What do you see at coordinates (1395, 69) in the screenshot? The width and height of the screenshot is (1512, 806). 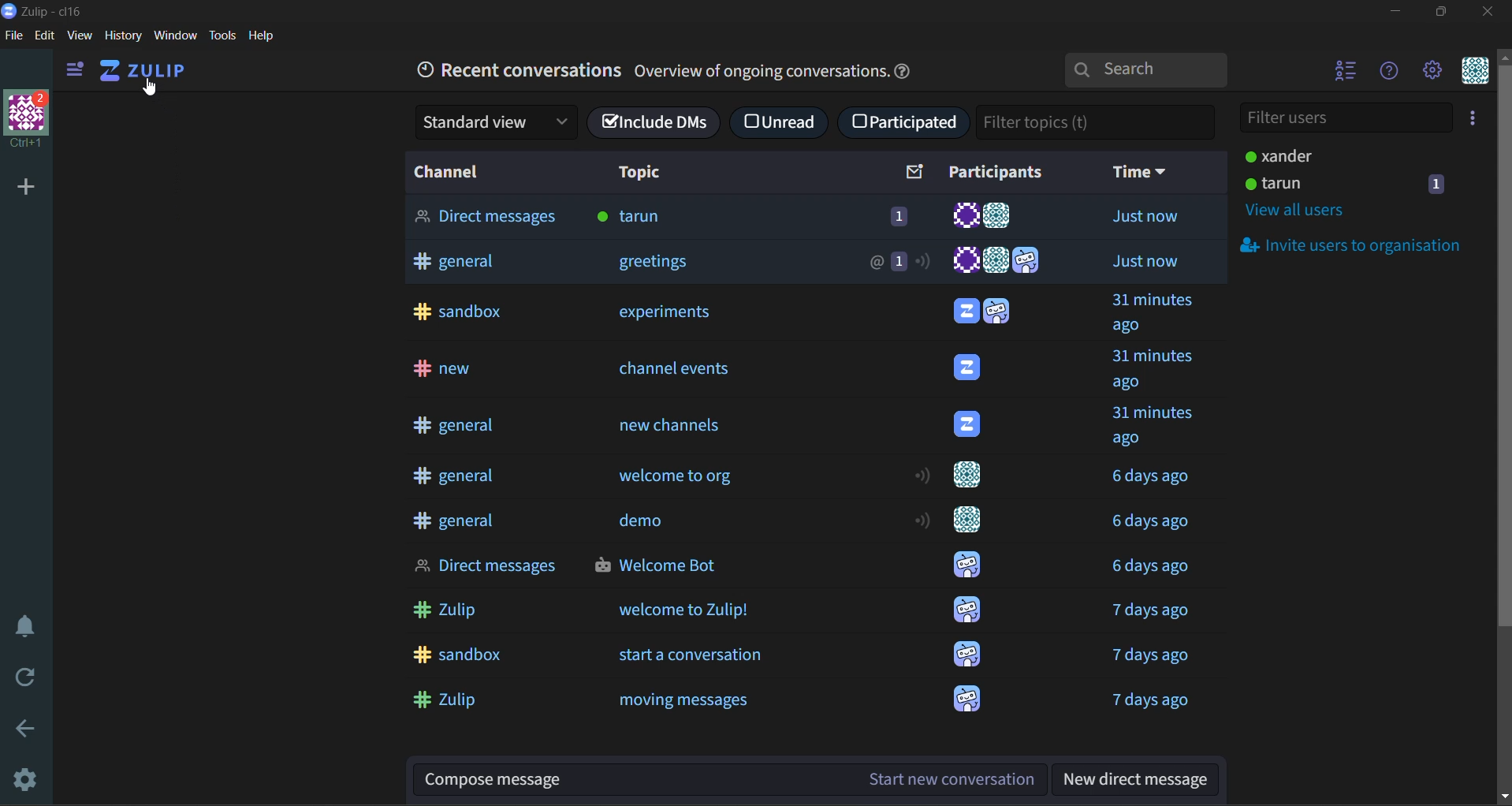 I see `help menu` at bounding box center [1395, 69].